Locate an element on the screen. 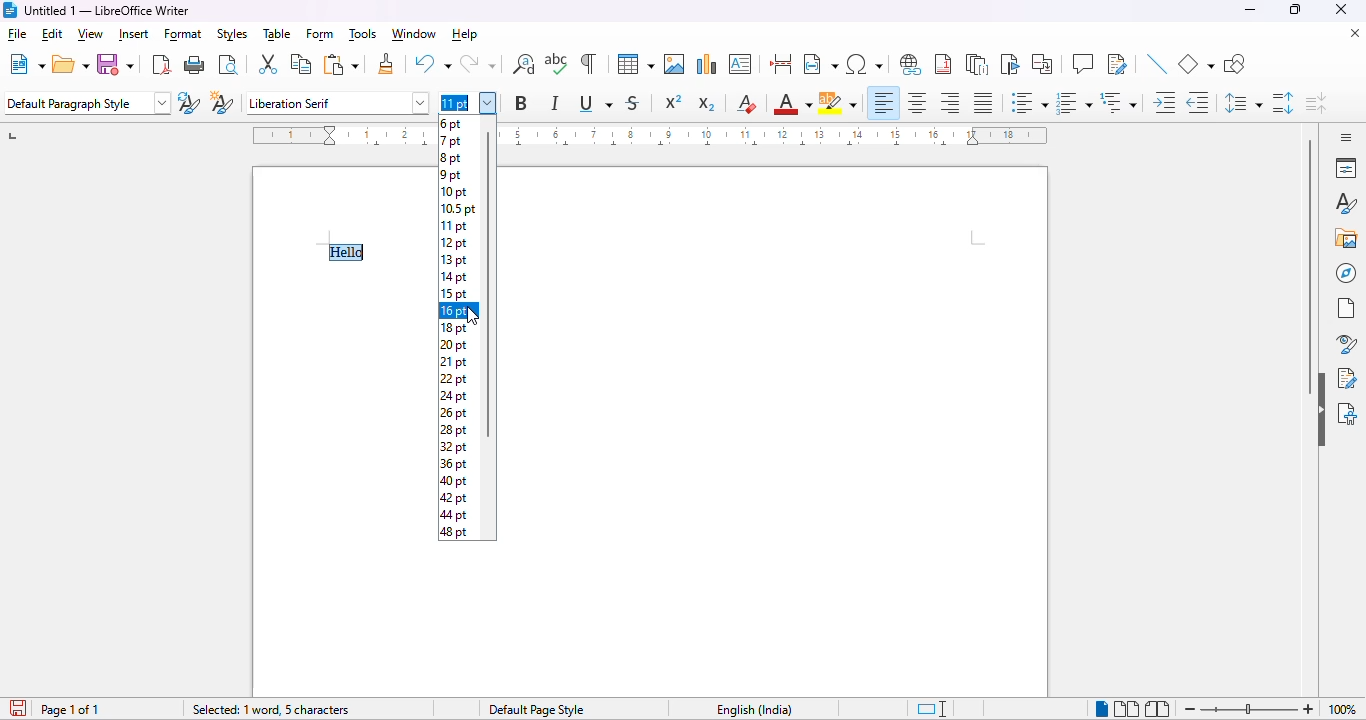  select outline format is located at coordinates (1119, 102).